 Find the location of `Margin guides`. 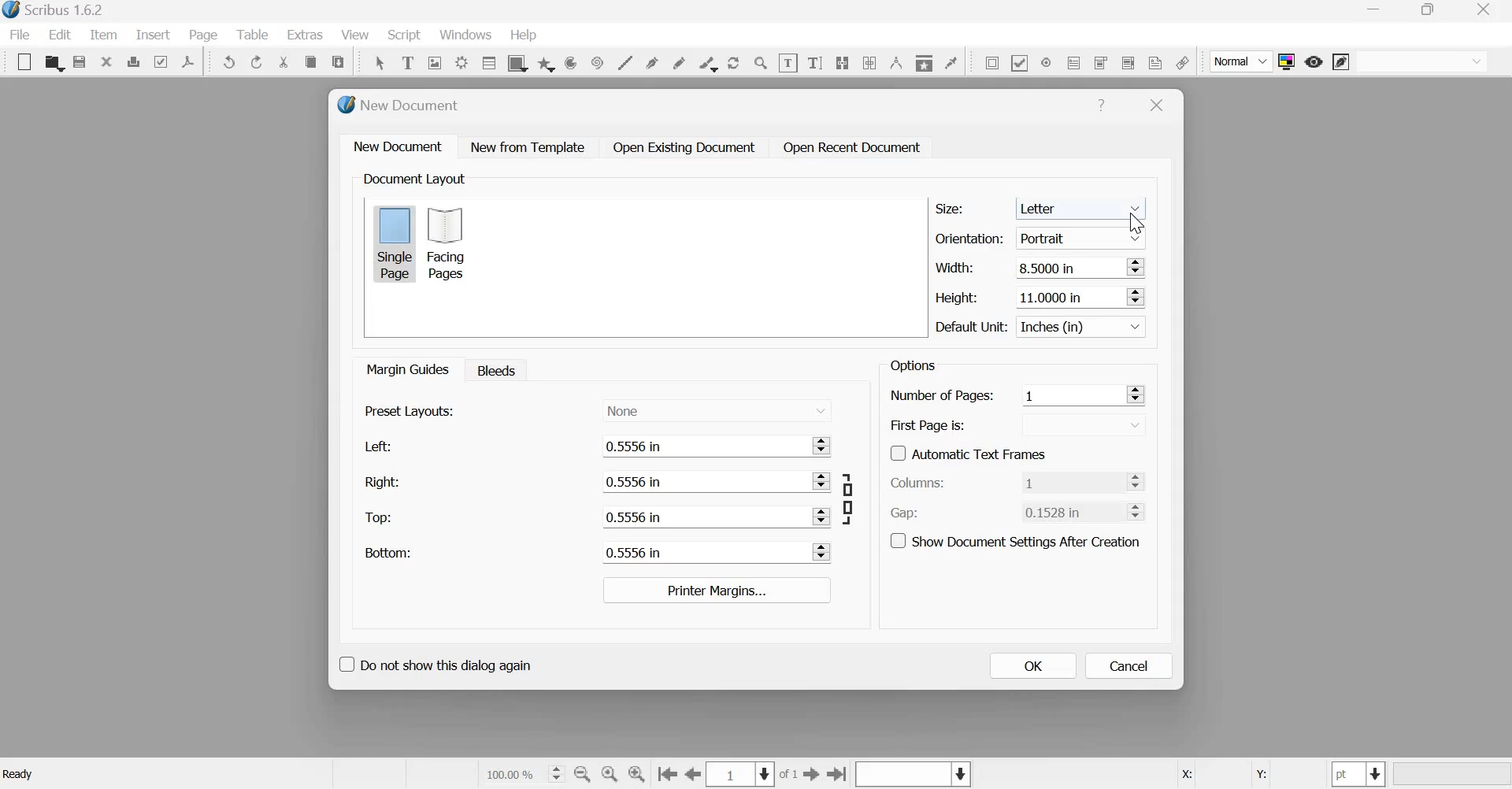

Margin guides is located at coordinates (406, 369).